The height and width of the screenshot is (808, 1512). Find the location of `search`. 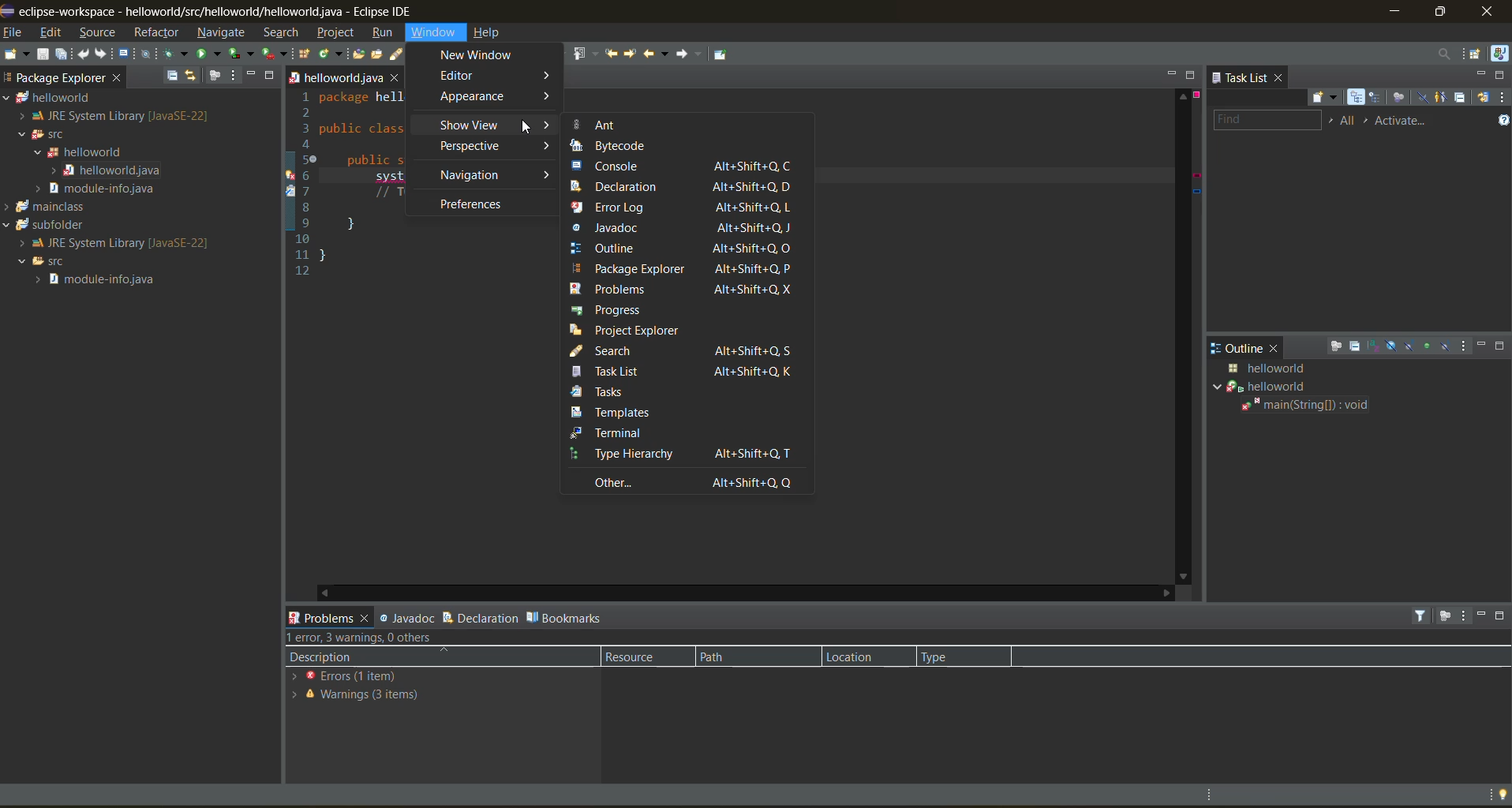

search is located at coordinates (279, 34).